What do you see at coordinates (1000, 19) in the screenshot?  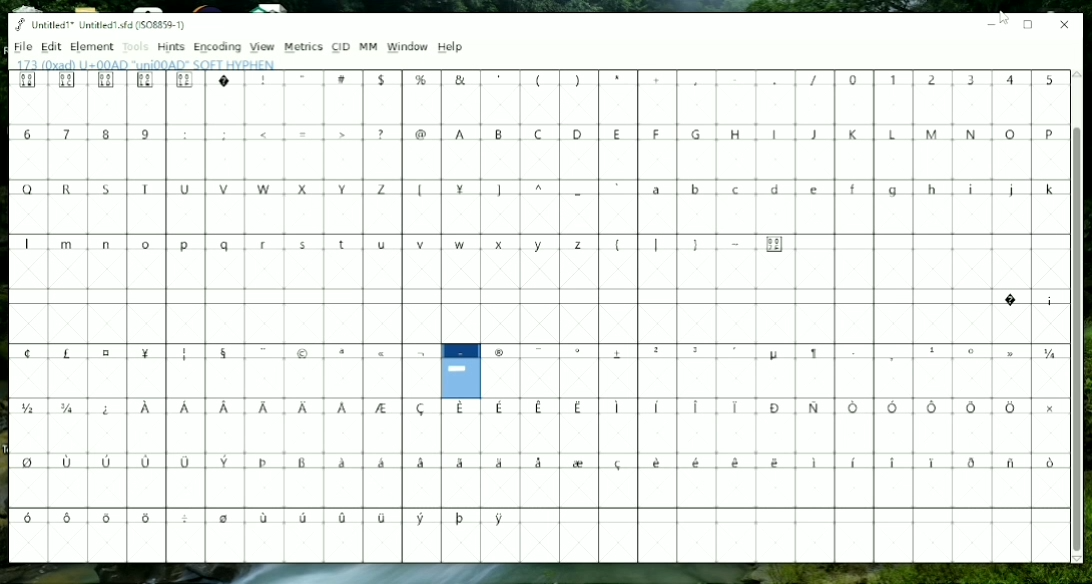 I see `Cursor` at bounding box center [1000, 19].